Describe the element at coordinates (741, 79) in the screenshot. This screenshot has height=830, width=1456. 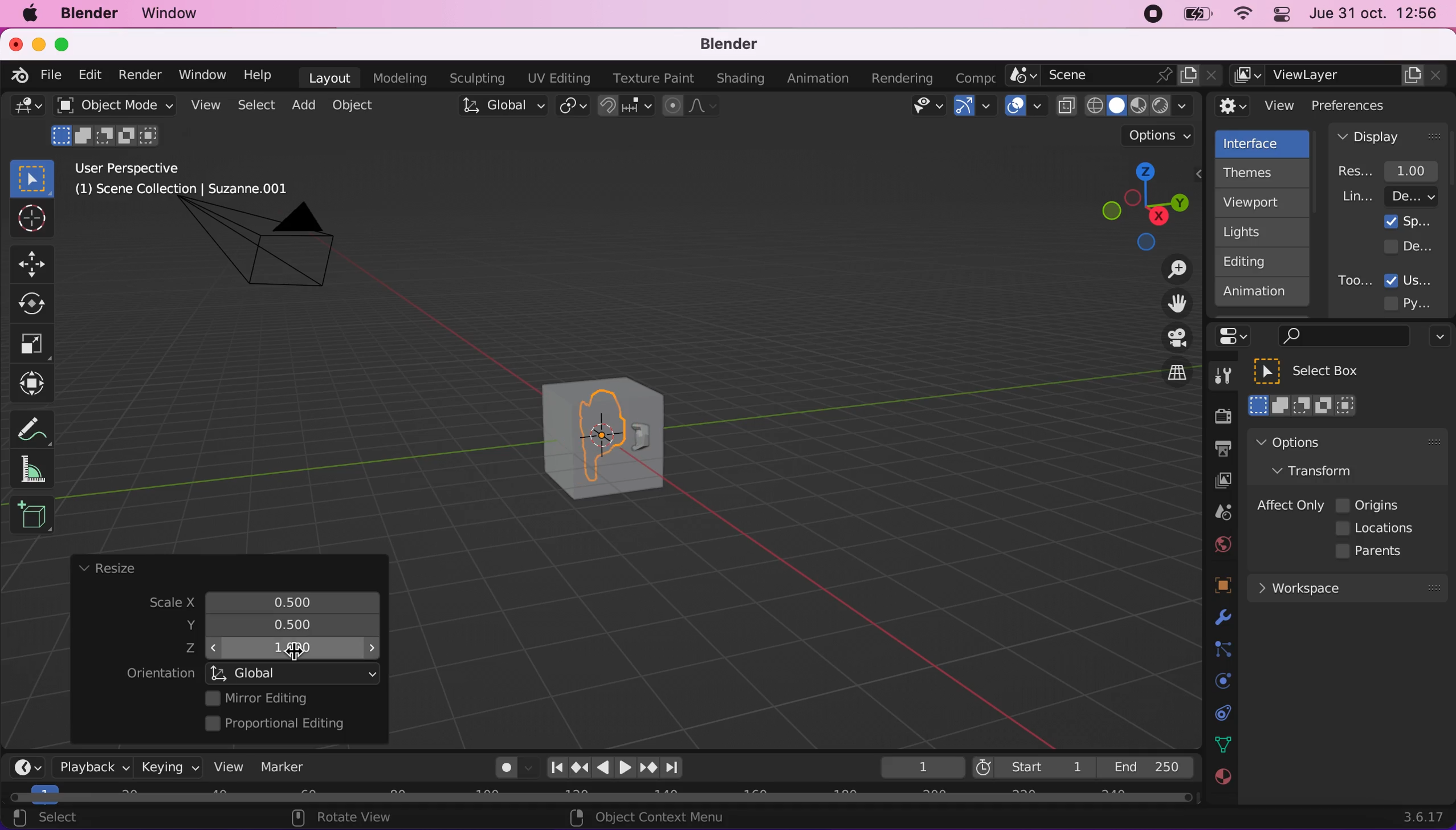
I see `shading` at that location.